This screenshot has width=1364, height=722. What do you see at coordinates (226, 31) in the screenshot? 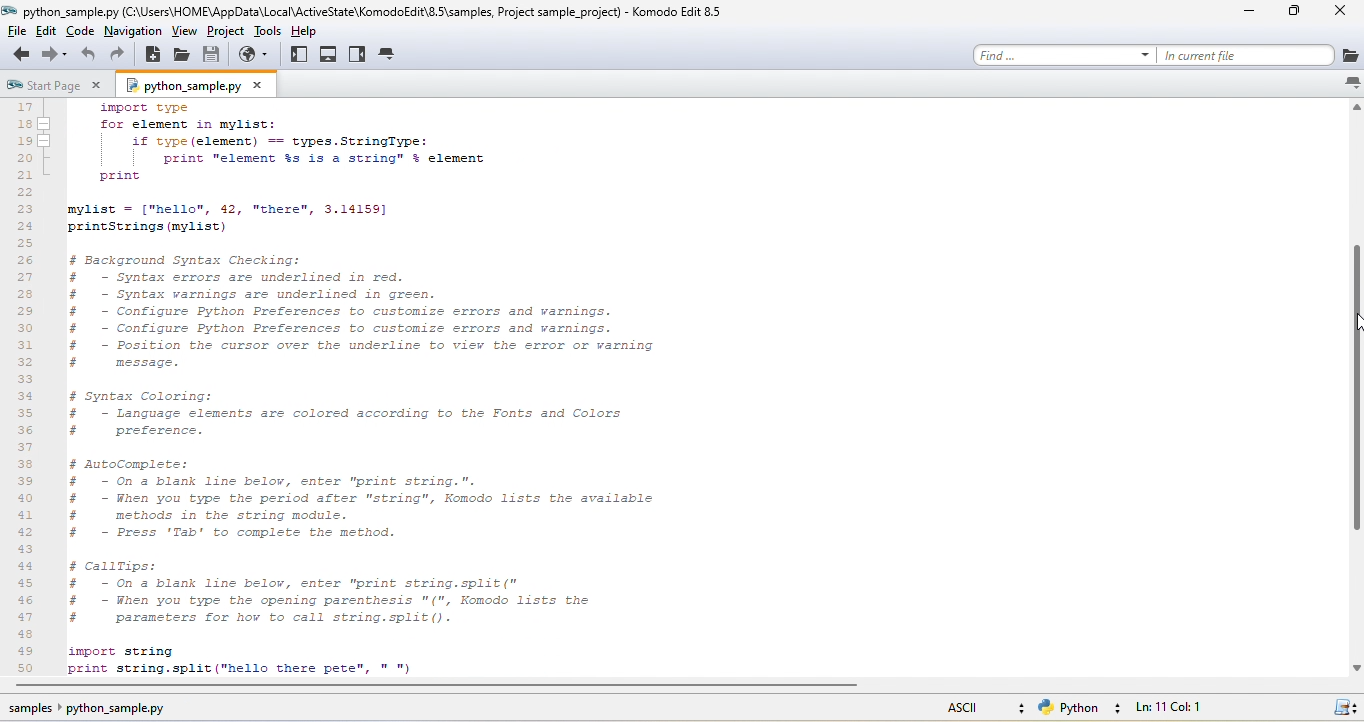
I see `project` at bounding box center [226, 31].